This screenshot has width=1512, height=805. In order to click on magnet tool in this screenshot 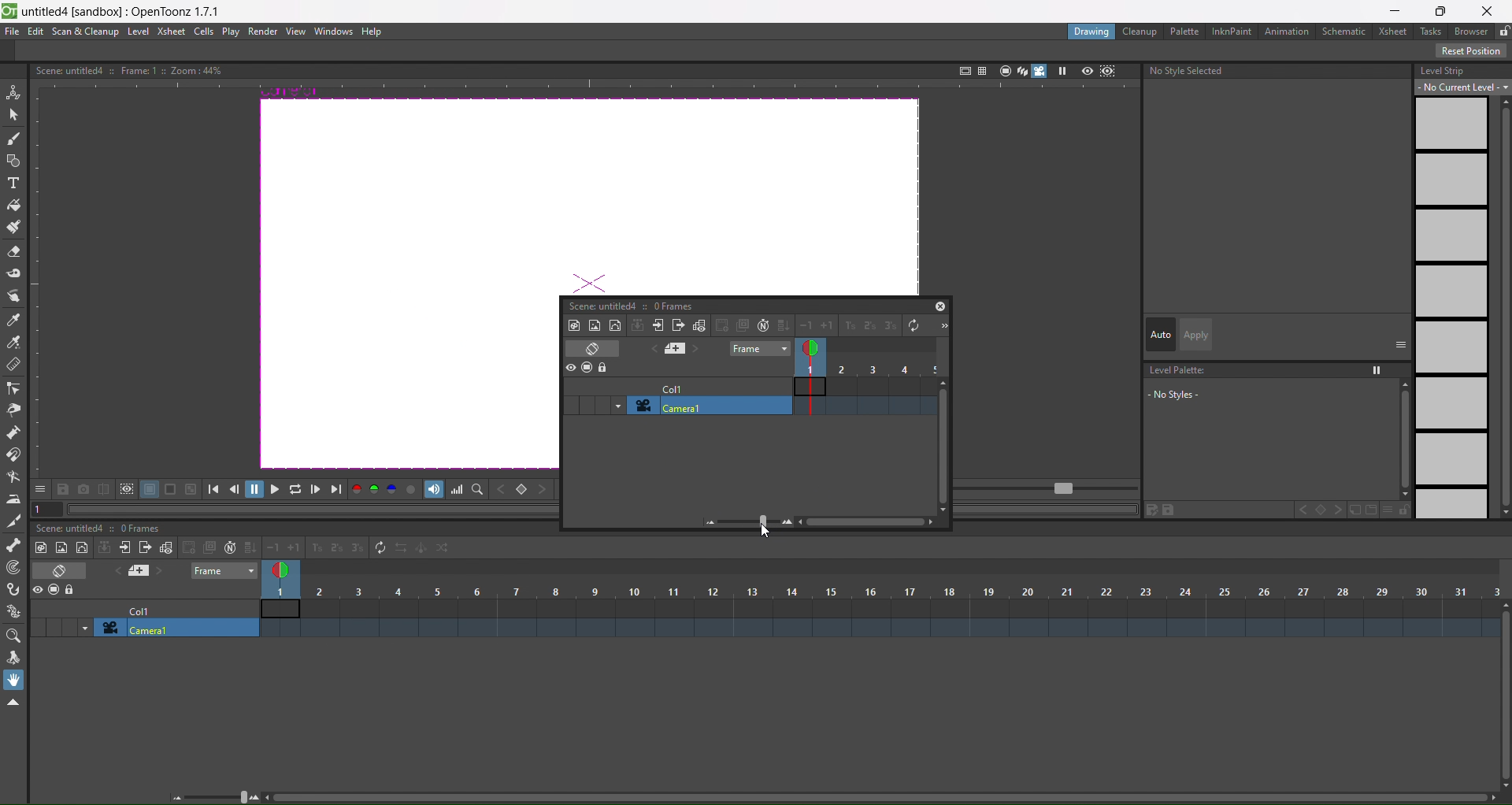, I will do `click(13, 454)`.